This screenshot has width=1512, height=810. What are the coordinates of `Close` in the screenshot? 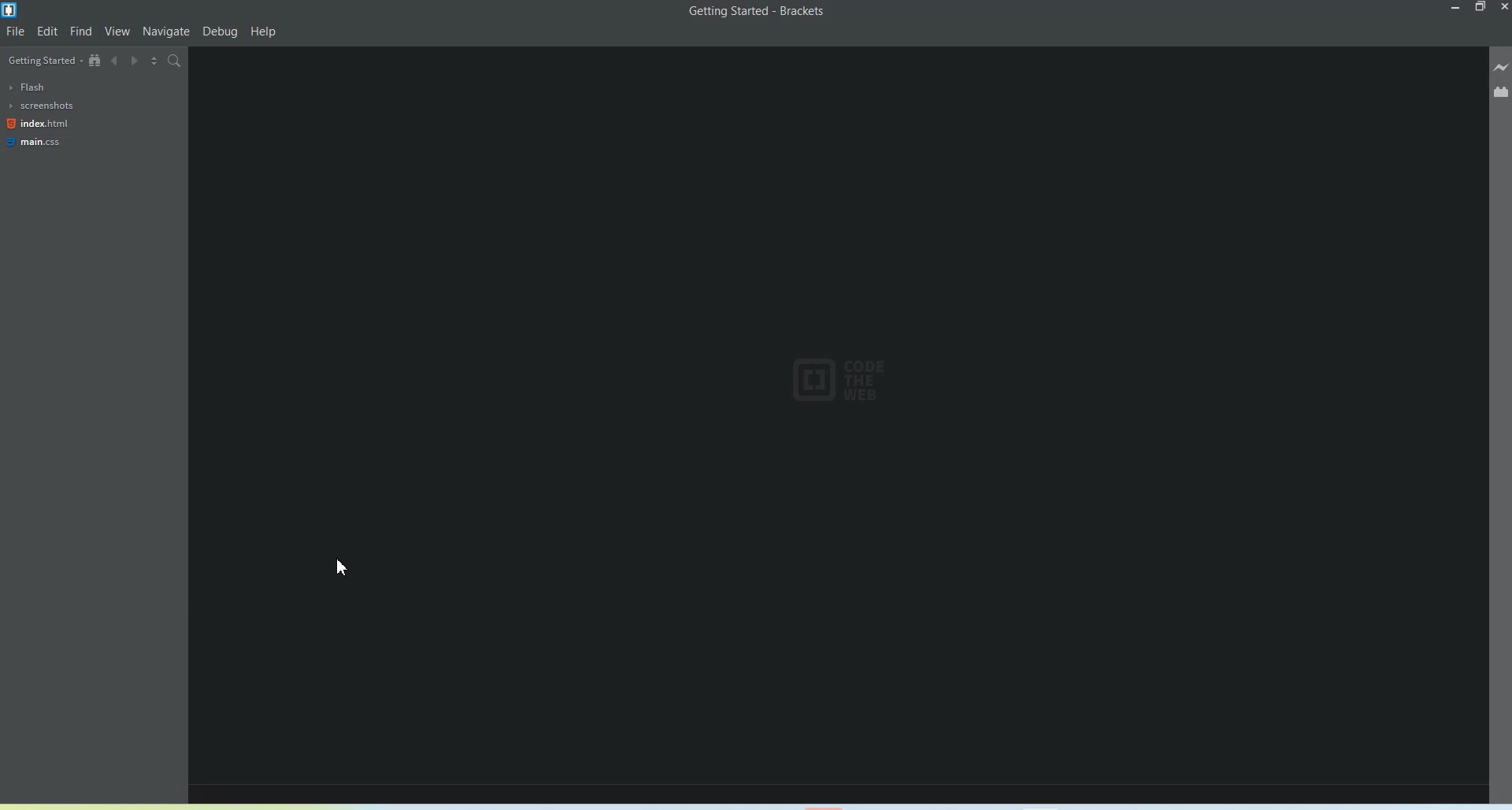 It's located at (1503, 7).